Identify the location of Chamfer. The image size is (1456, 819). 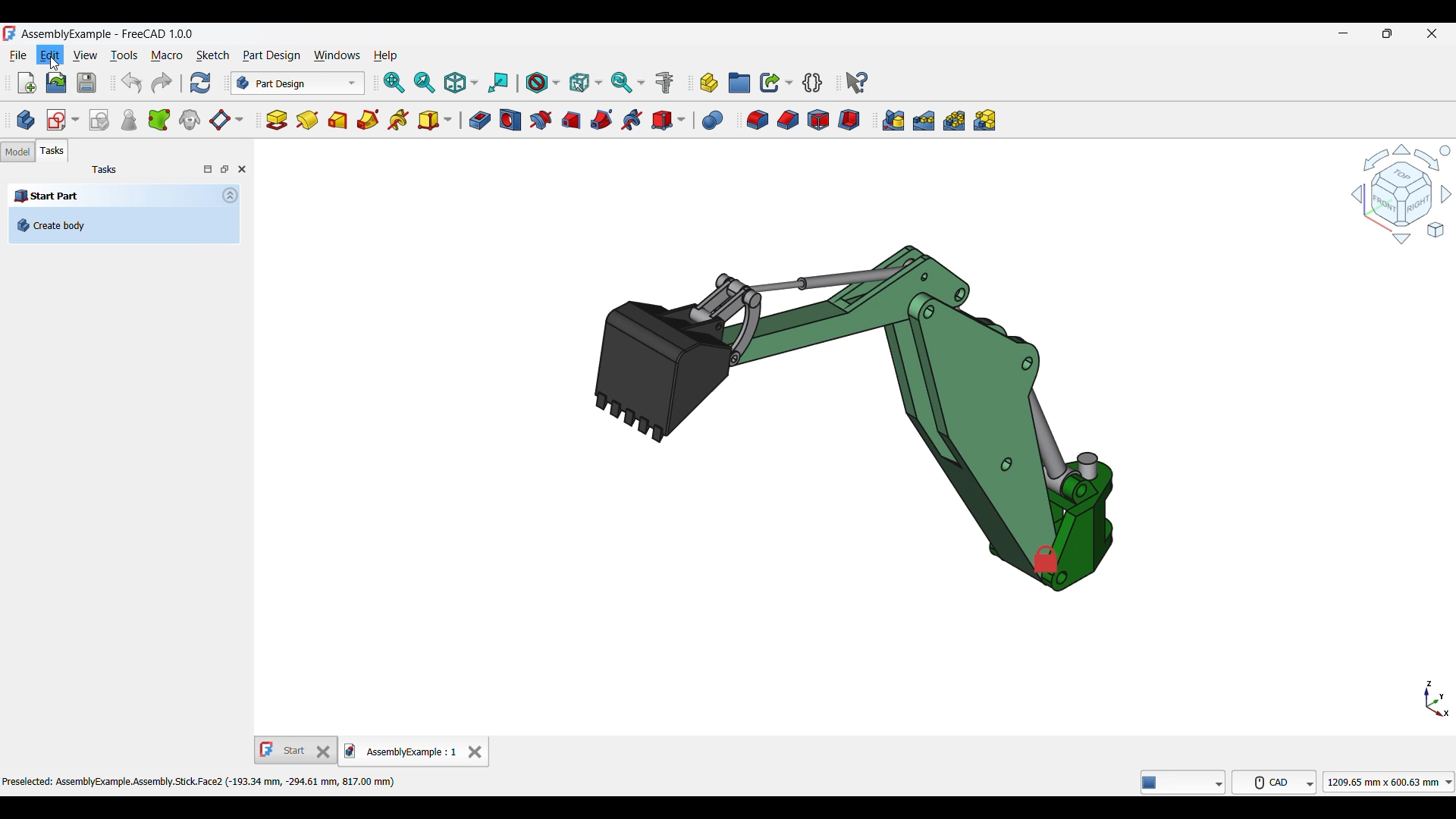
(789, 120).